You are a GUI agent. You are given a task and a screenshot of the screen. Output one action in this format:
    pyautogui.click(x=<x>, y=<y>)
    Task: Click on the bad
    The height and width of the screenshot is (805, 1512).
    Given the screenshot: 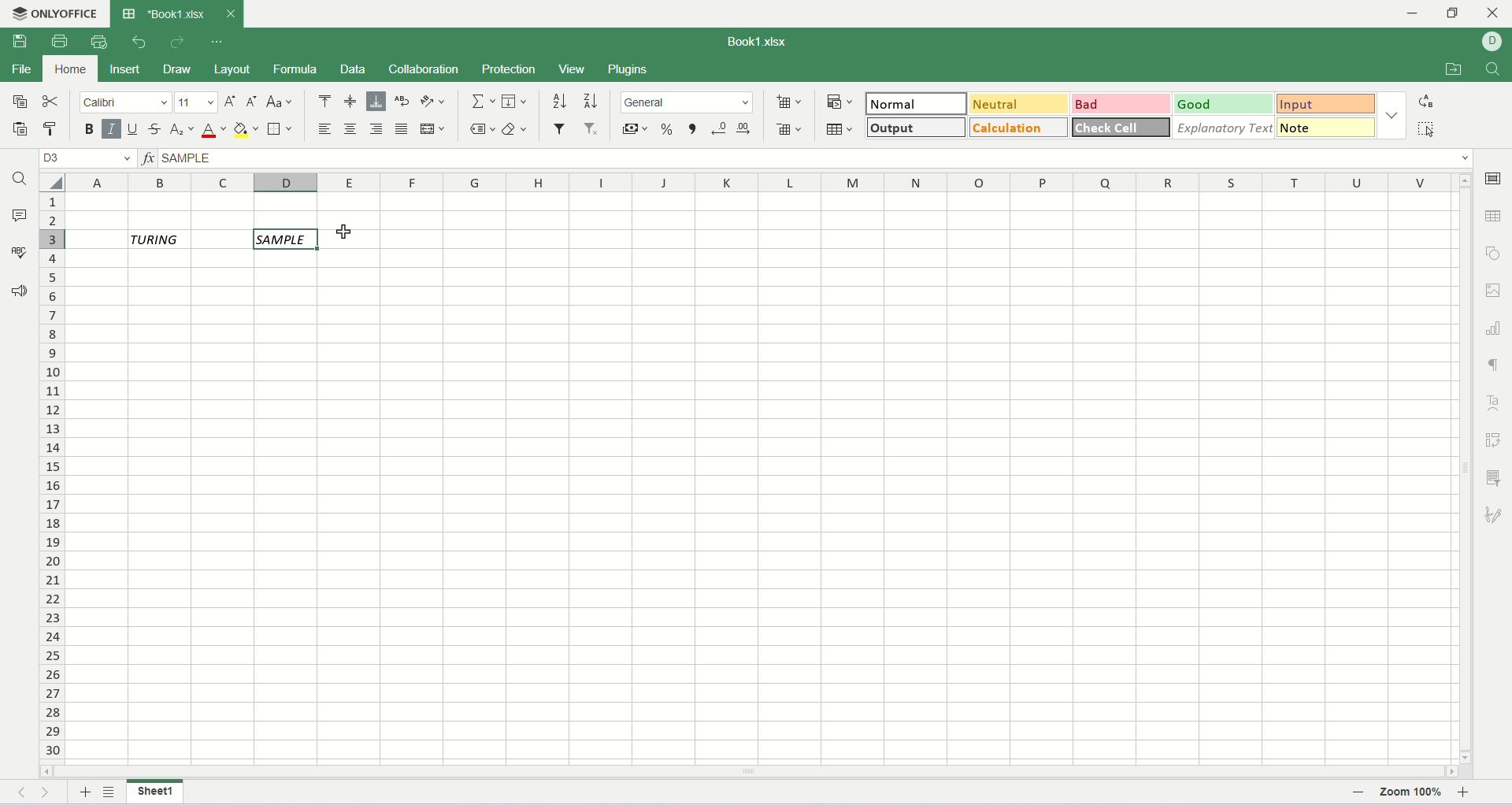 What is the action you would take?
    pyautogui.click(x=1121, y=105)
    